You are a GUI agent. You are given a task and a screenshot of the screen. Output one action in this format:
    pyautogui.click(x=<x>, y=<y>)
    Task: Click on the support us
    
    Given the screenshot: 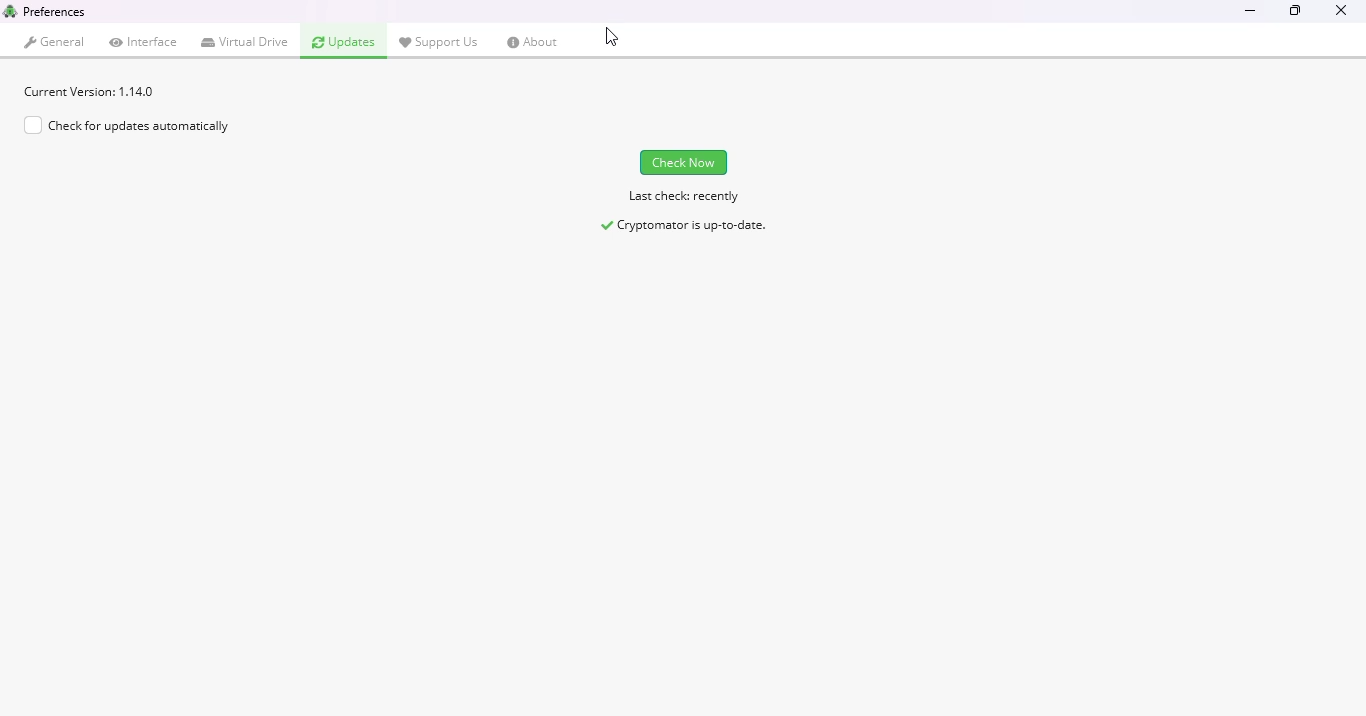 What is the action you would take?
    pyautogui.click(x=439, y=41)
    